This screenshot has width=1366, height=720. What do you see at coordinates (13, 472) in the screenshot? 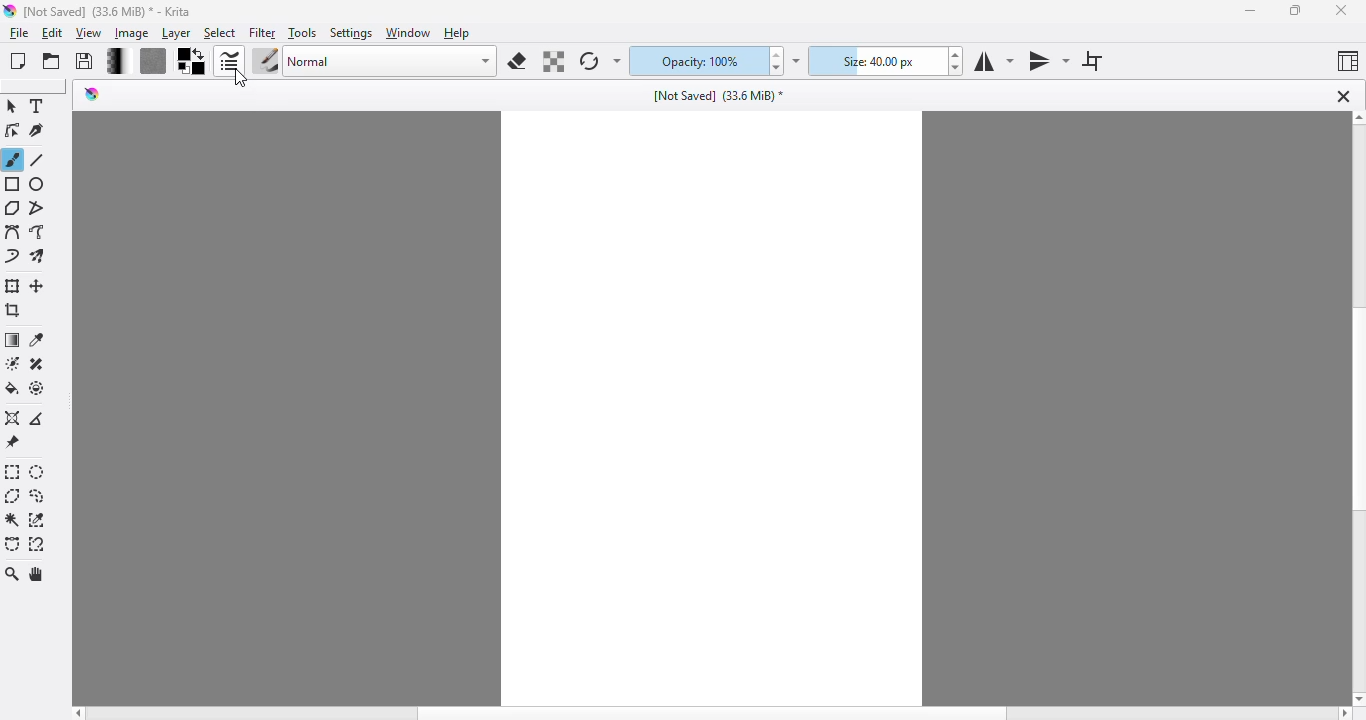
I see `rectangular selection tool` at bounding box center [13, 472].